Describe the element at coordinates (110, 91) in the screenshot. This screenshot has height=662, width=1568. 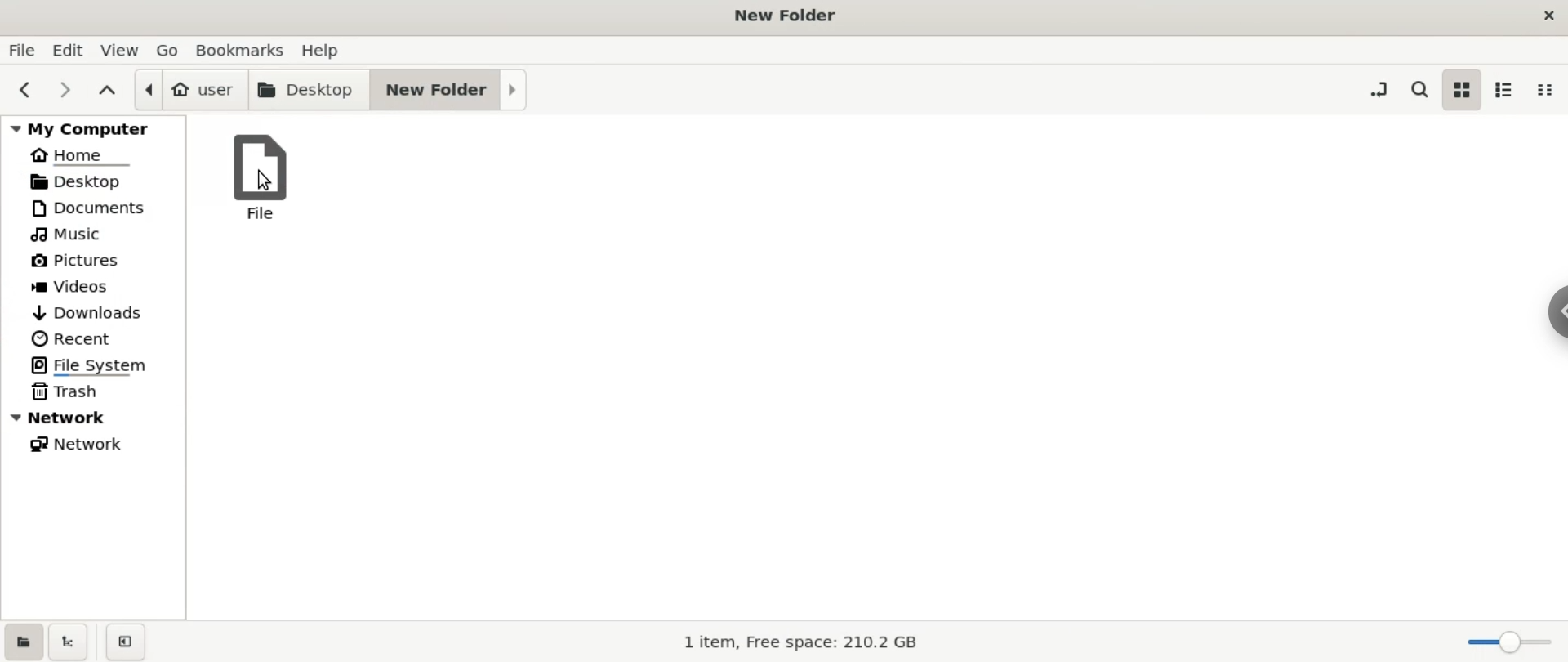
I see `parent folder` at that location.